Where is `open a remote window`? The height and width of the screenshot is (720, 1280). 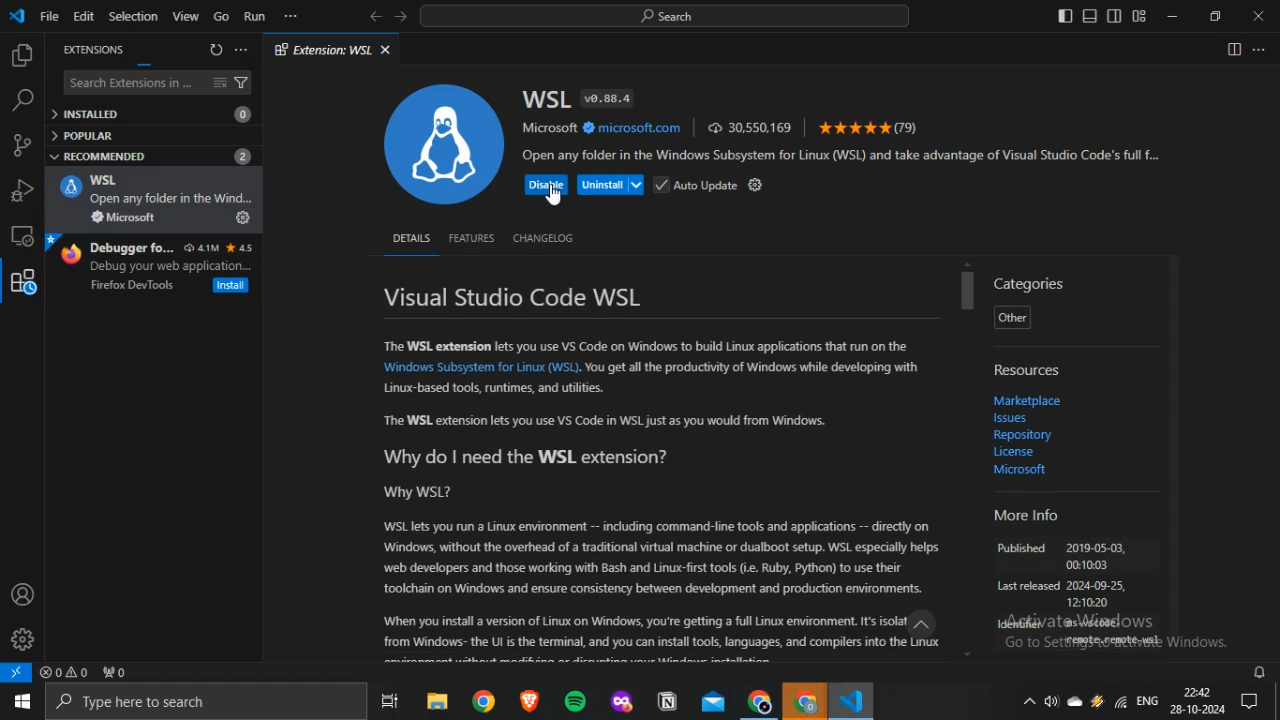
open a remote window is located at coordinates (17, 672).